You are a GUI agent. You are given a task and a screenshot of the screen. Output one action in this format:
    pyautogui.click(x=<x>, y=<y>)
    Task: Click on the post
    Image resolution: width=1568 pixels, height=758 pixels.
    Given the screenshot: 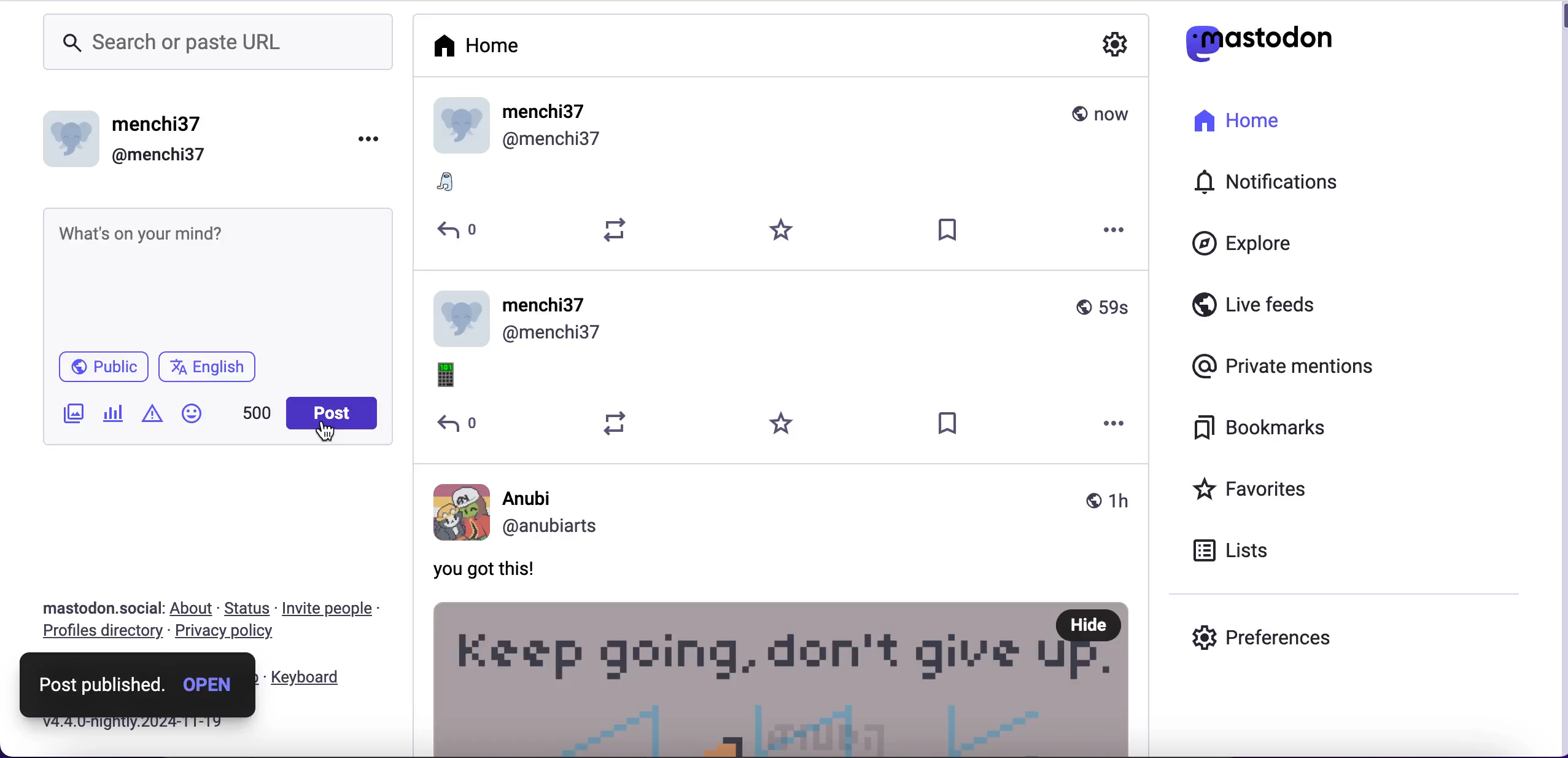 What is the action you would take?
    pyautogui.click(x=785, y=678)
    